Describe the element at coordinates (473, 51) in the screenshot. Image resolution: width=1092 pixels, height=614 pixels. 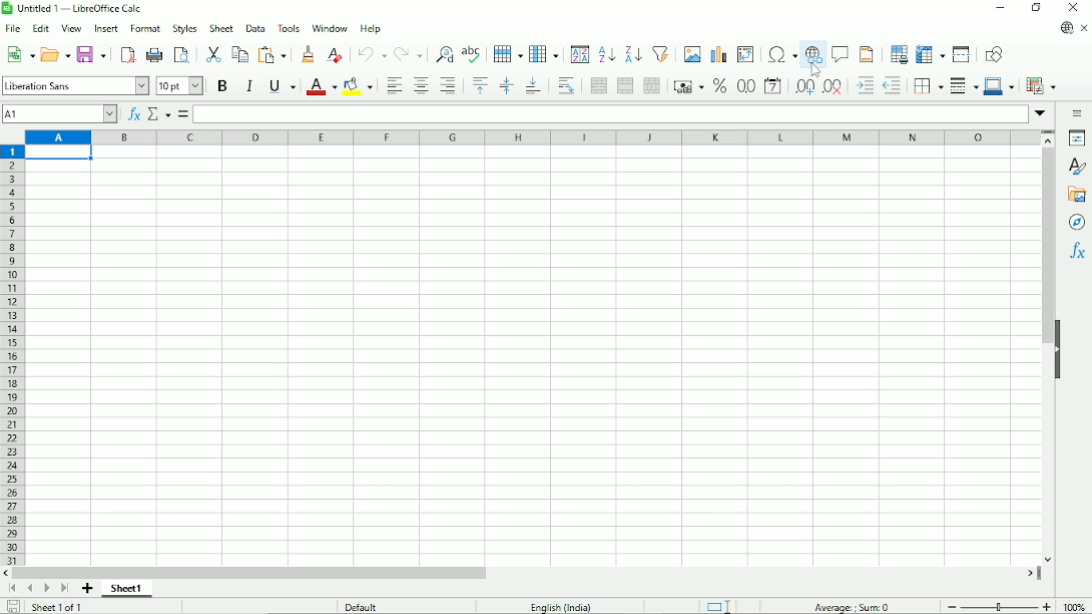
I see `Spell check` at that location.